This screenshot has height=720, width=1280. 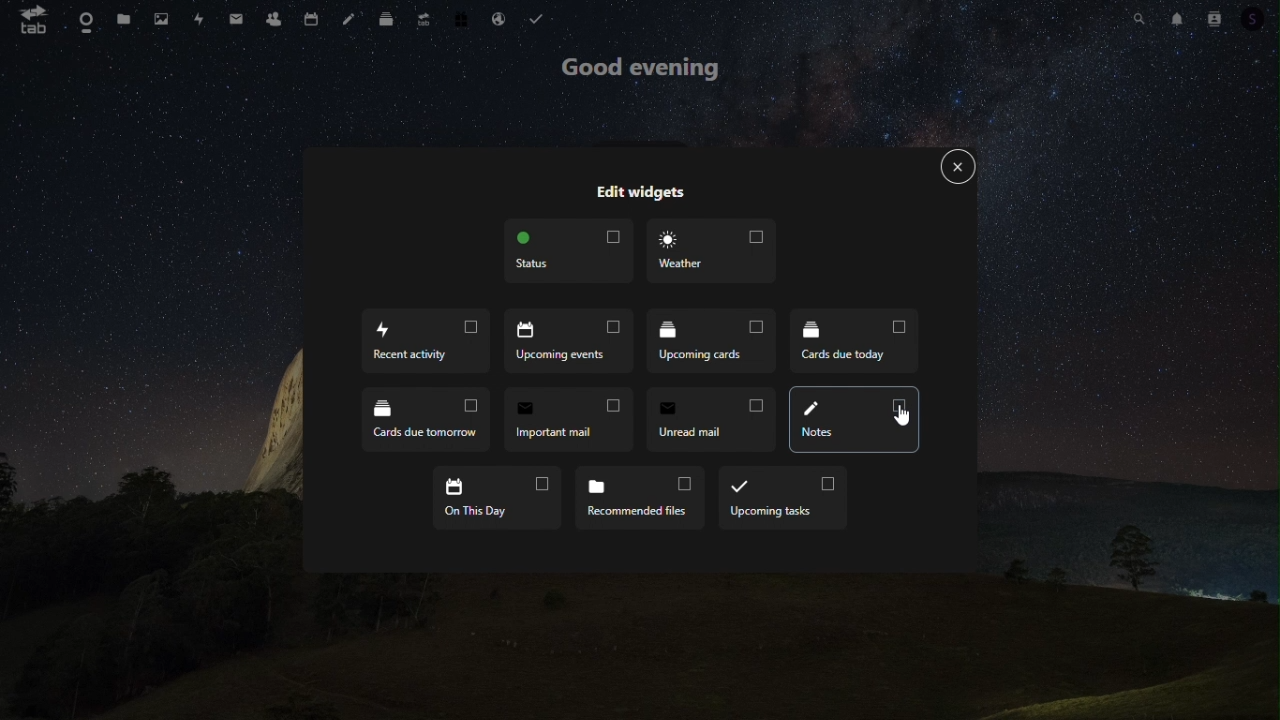 What do you see at coordinates (711, 253) in the screenshot?
I see `Weather` at bounding box center [711, 253].